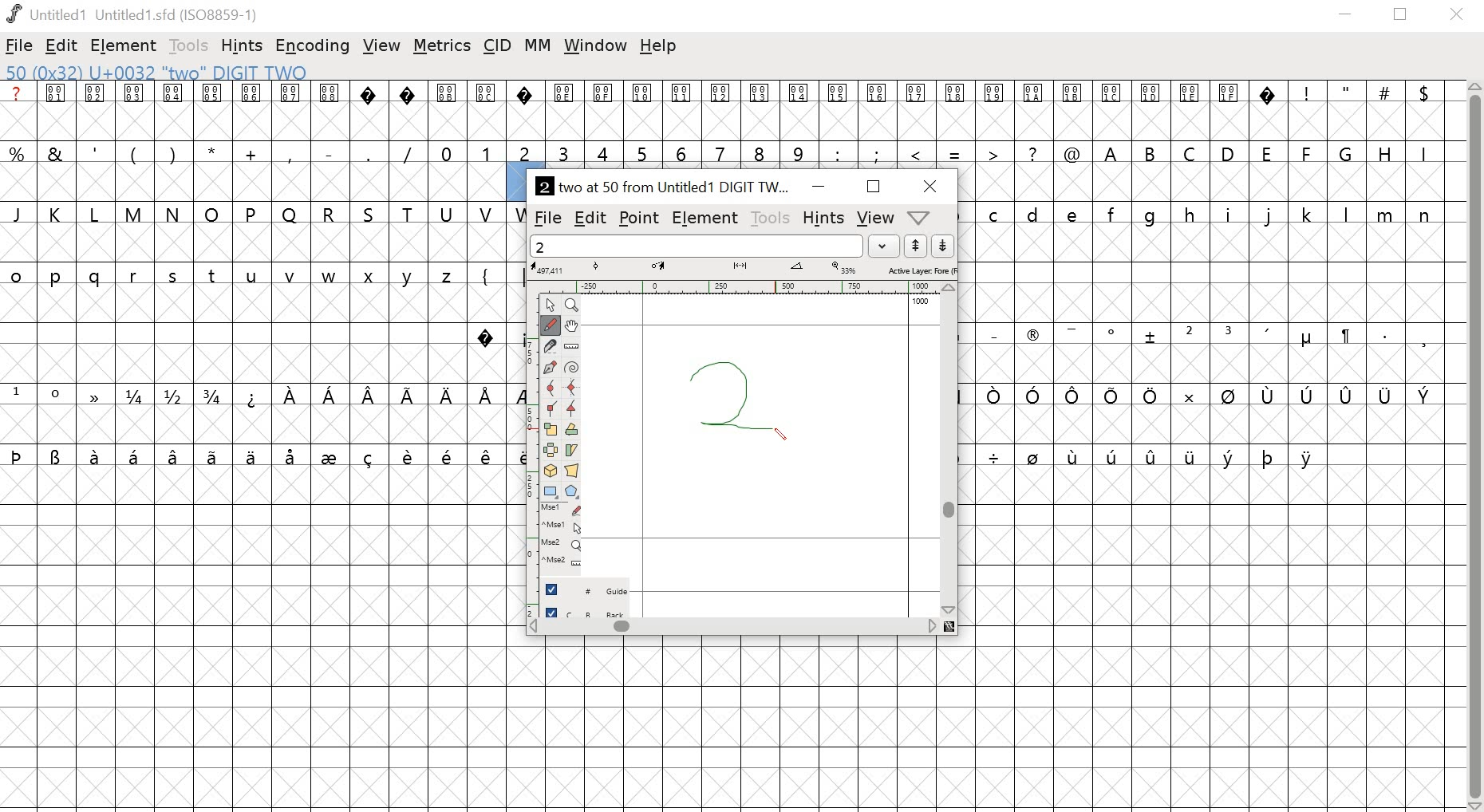  Describe the element at coordinates (551, 368) in the screenshot. I see `pen` at that location.